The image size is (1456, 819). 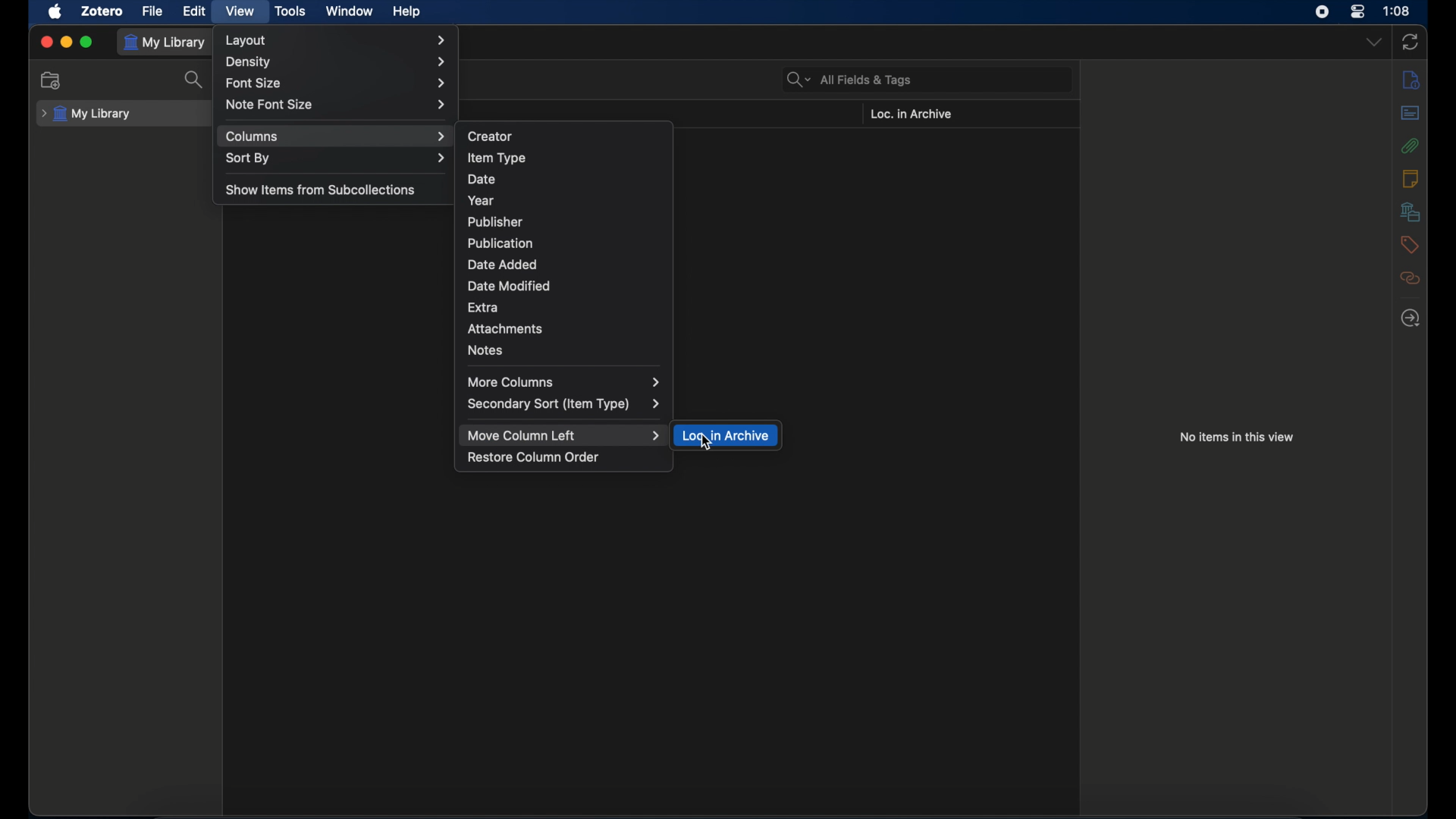 What do you see at coordinates (496, 222) in the screenshot?
I see `publisher` at bounding box center [496, 222].